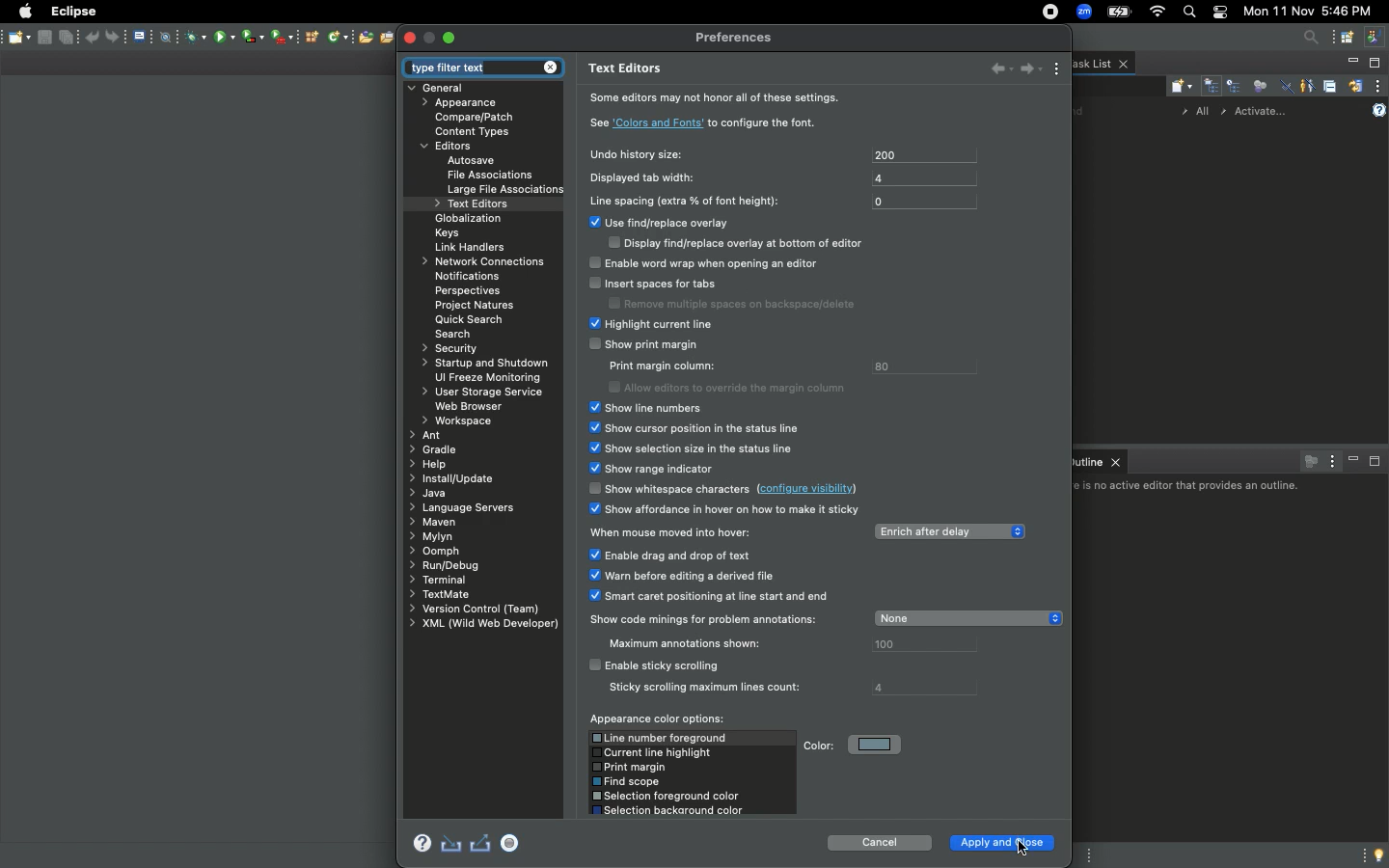 The height and width of the screenshot is (868, 1389). What do you see at coordinates (1308, 40) in the screenshot?
I see `Search` at bounding box center [1308, 40].